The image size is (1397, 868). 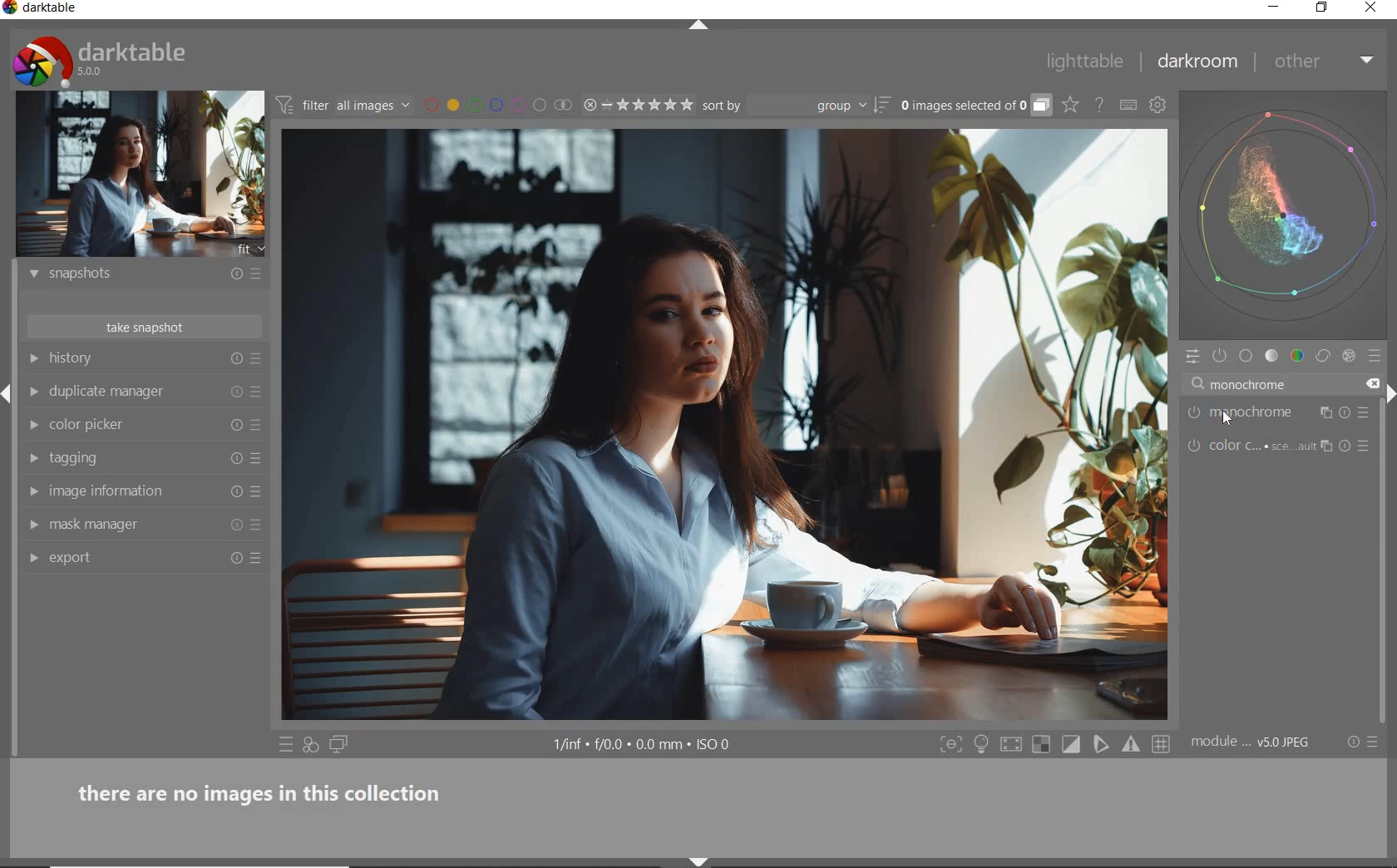 What do you see at coordinates (339, 745) in the screenshot?
I see `display a second darkroom image window` at bounding box center [339, 745].